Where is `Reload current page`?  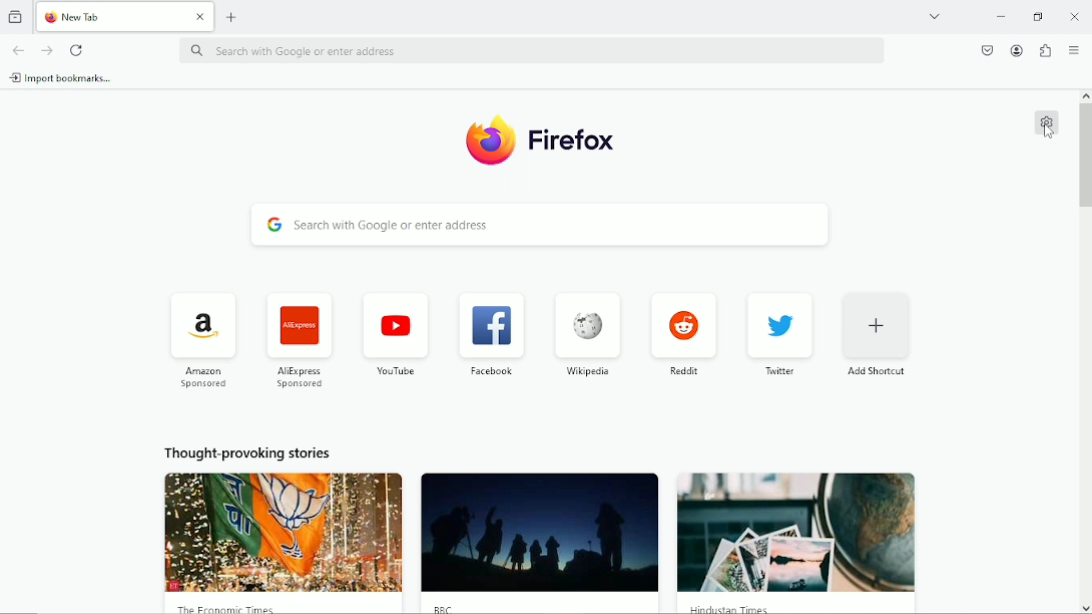 Reload current page is located at coordinates (76, 50).